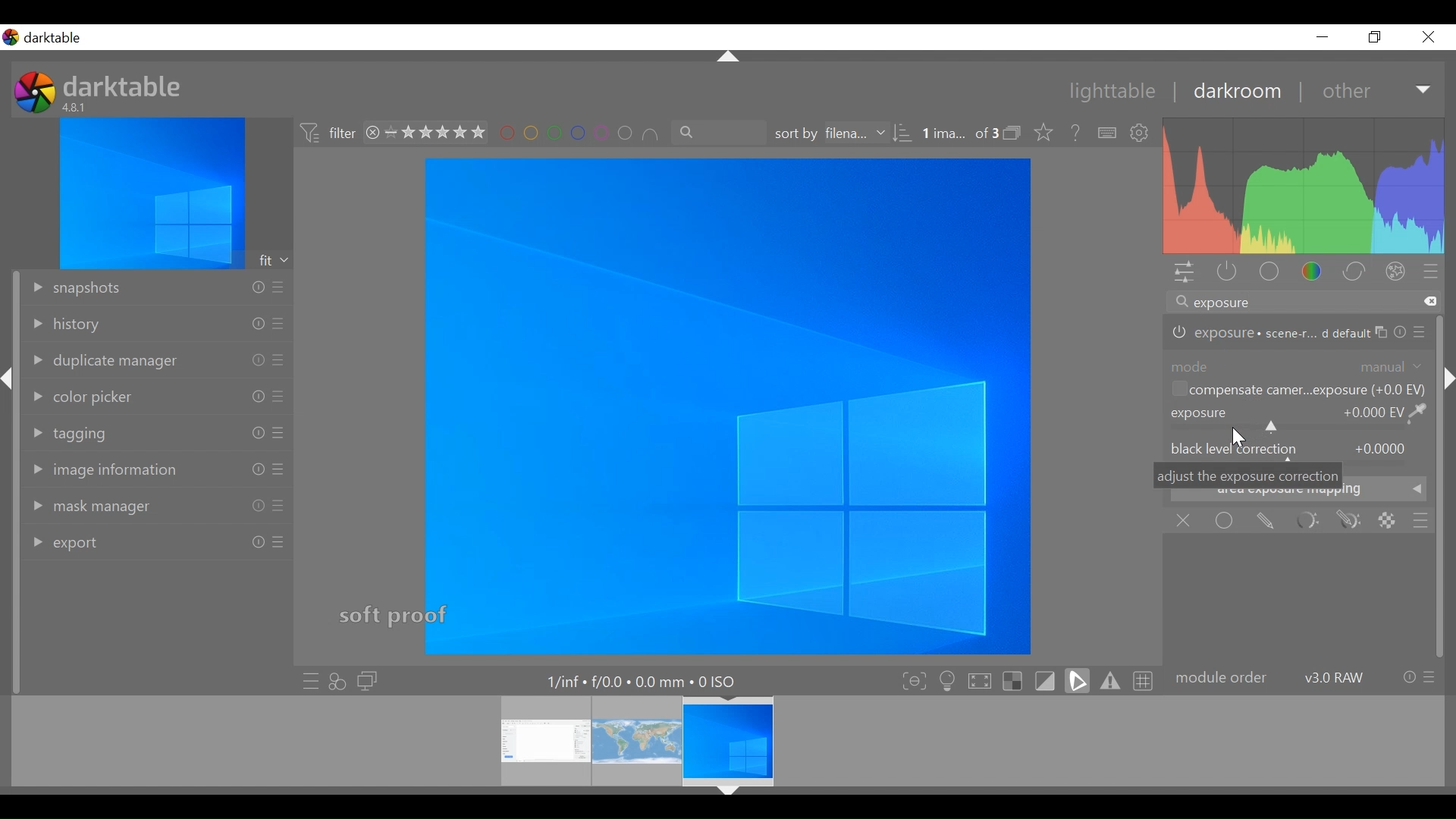 This screenshot has height=819, width=1456. Describe the element at coordinates (277, 287) in the screenshot. I see `presets` at that location.